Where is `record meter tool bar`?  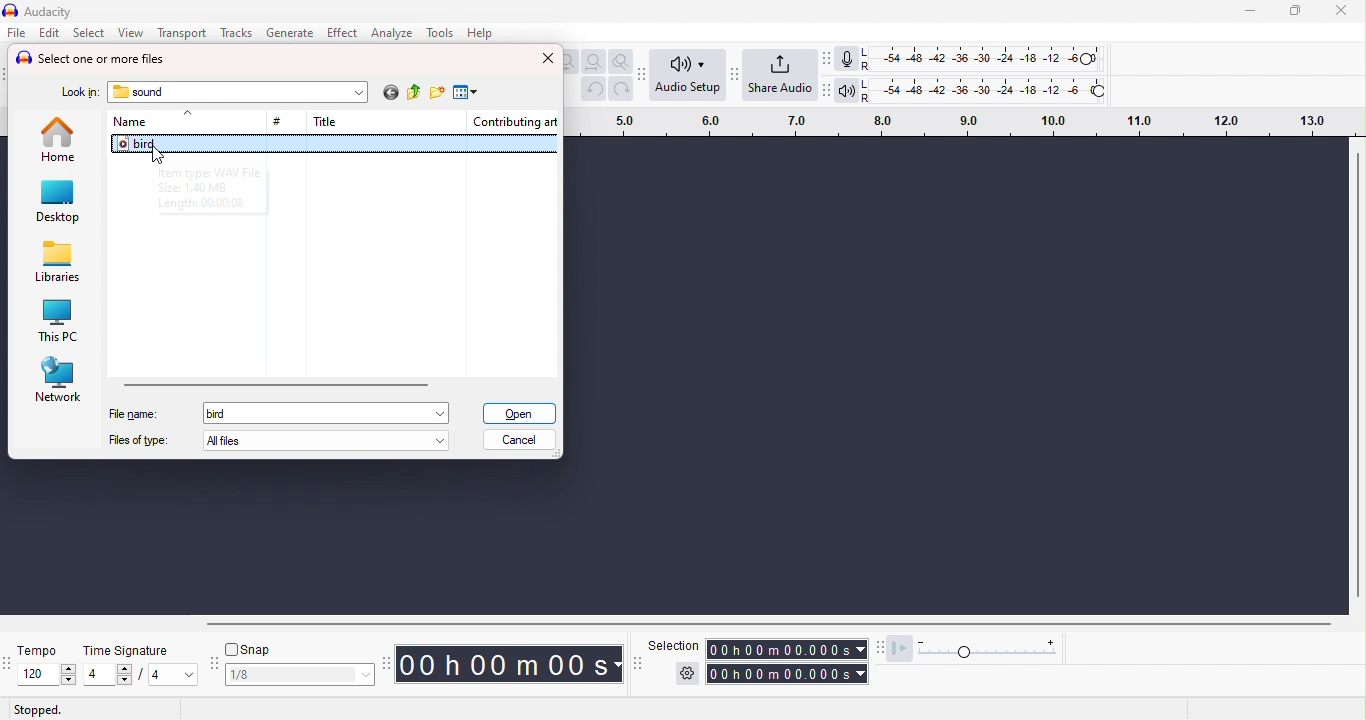 record meter tool bar is located at coordinates (830, 59).